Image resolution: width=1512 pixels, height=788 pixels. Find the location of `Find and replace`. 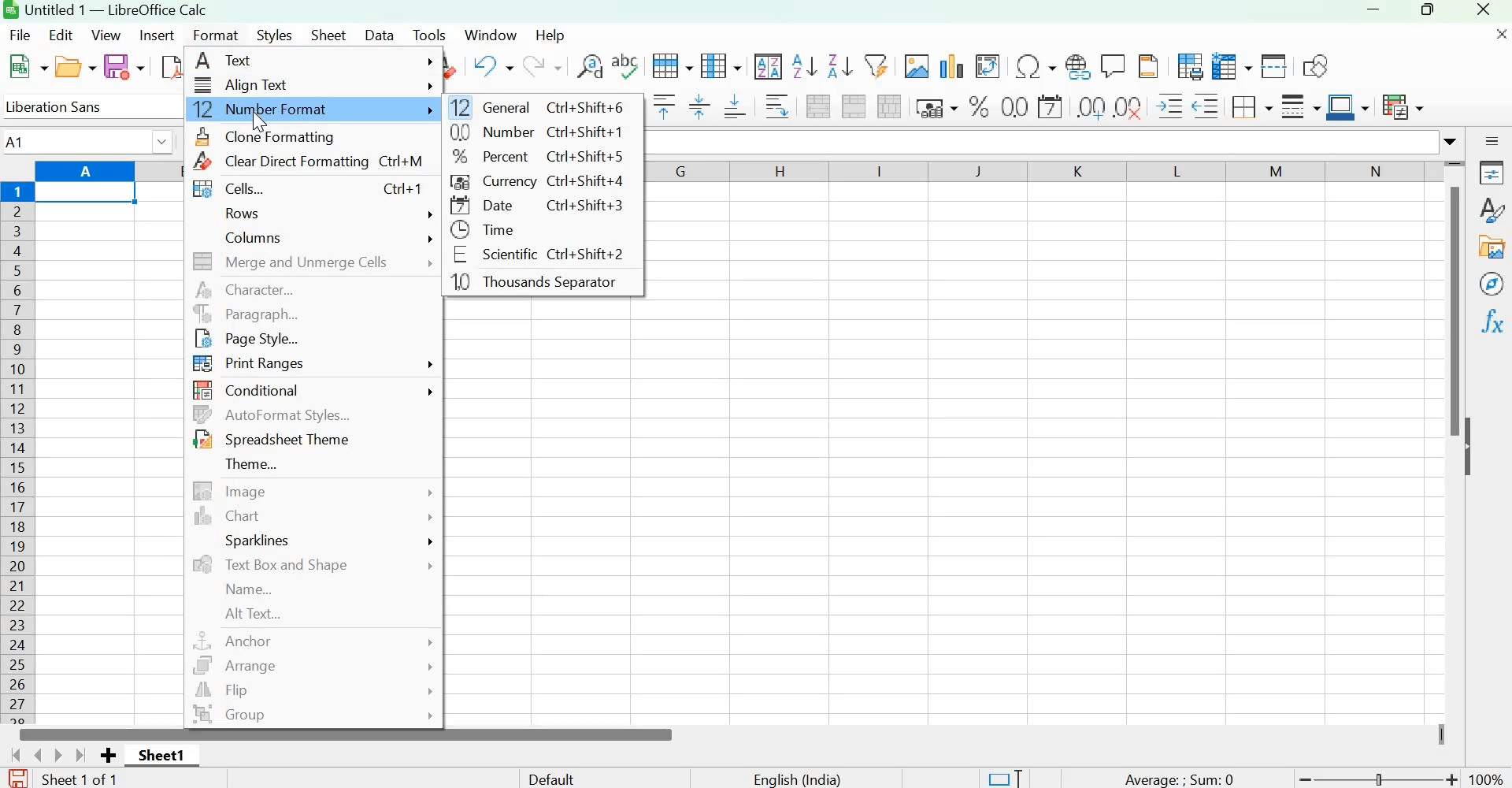

Find and replace is located at coordinates (588, 66).